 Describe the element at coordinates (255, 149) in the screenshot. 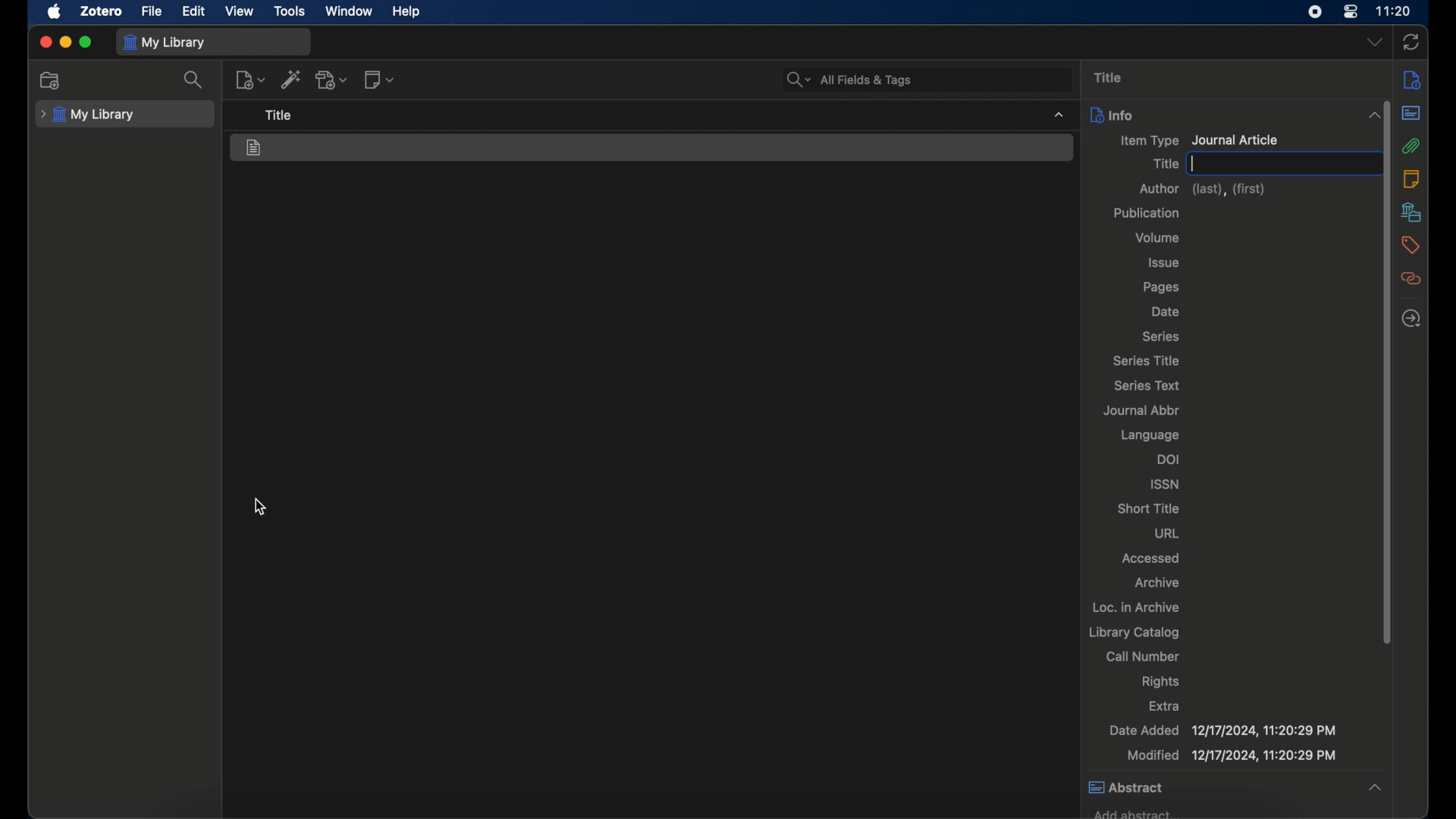

I see `journal article` at that location.